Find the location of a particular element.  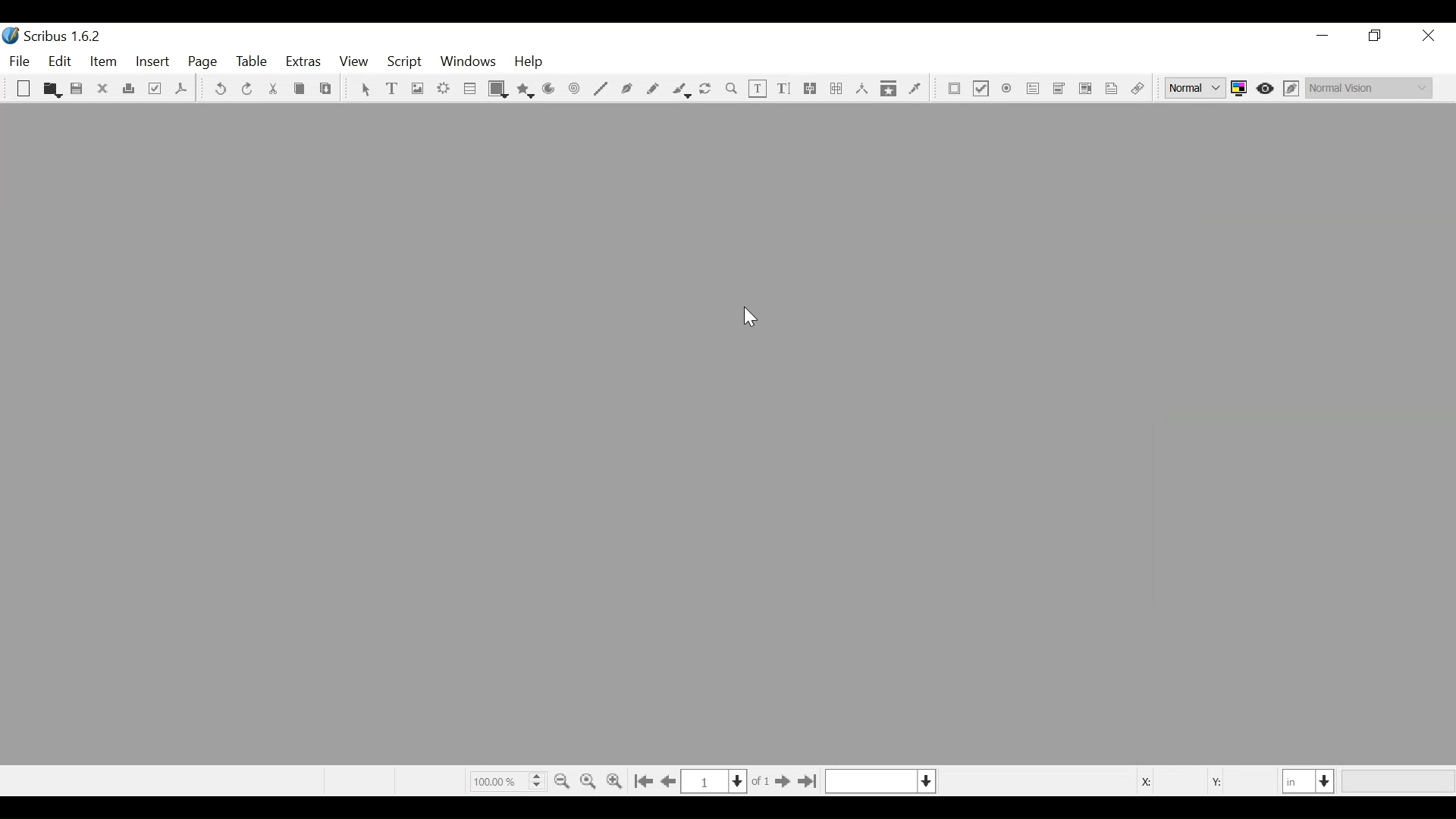

Paste is located at coordinates (326, 90).